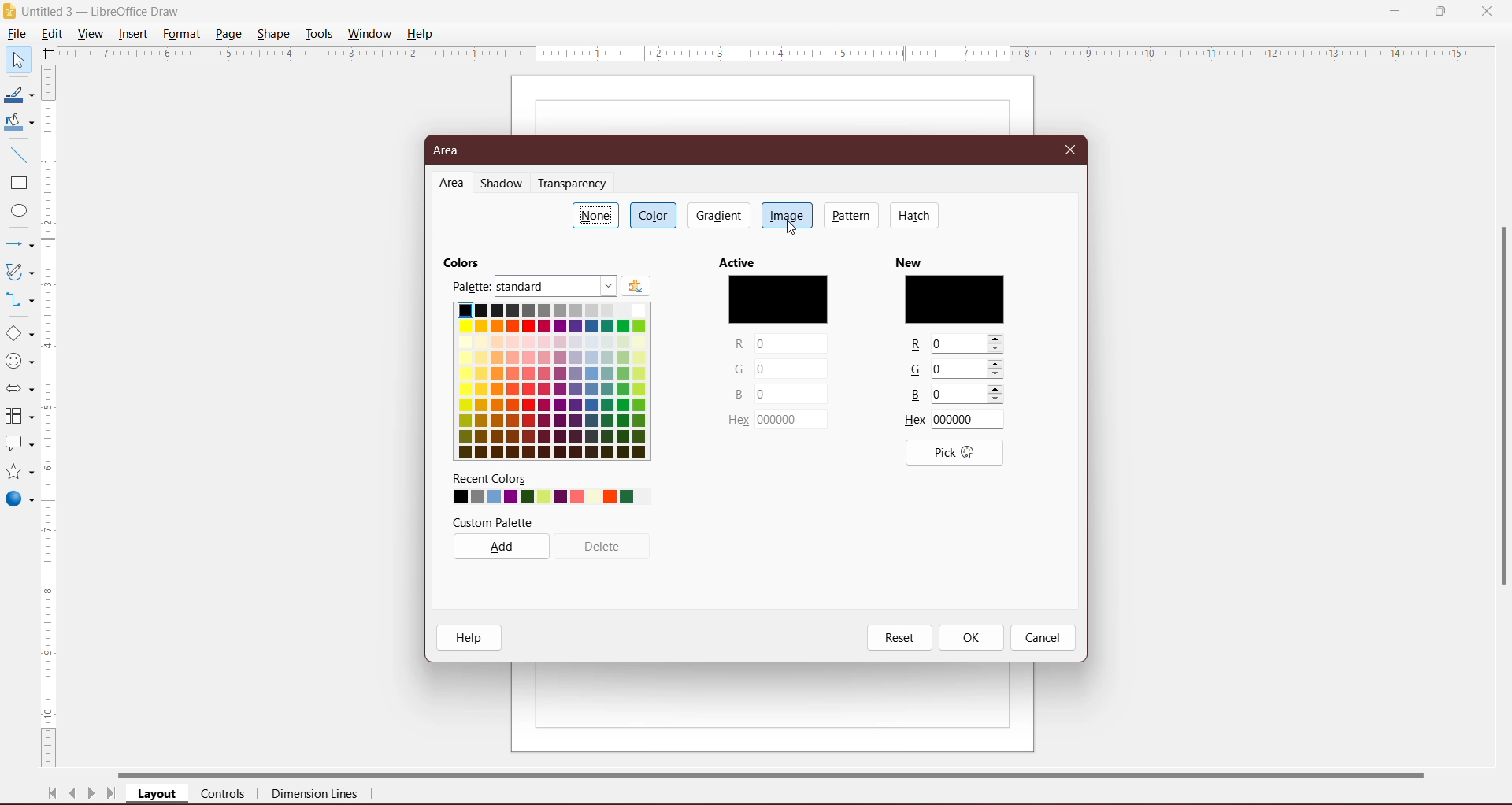  What do you see at coordinates (789, 369) in the screenshot?
I see `0` at bounding box center [789, 369].